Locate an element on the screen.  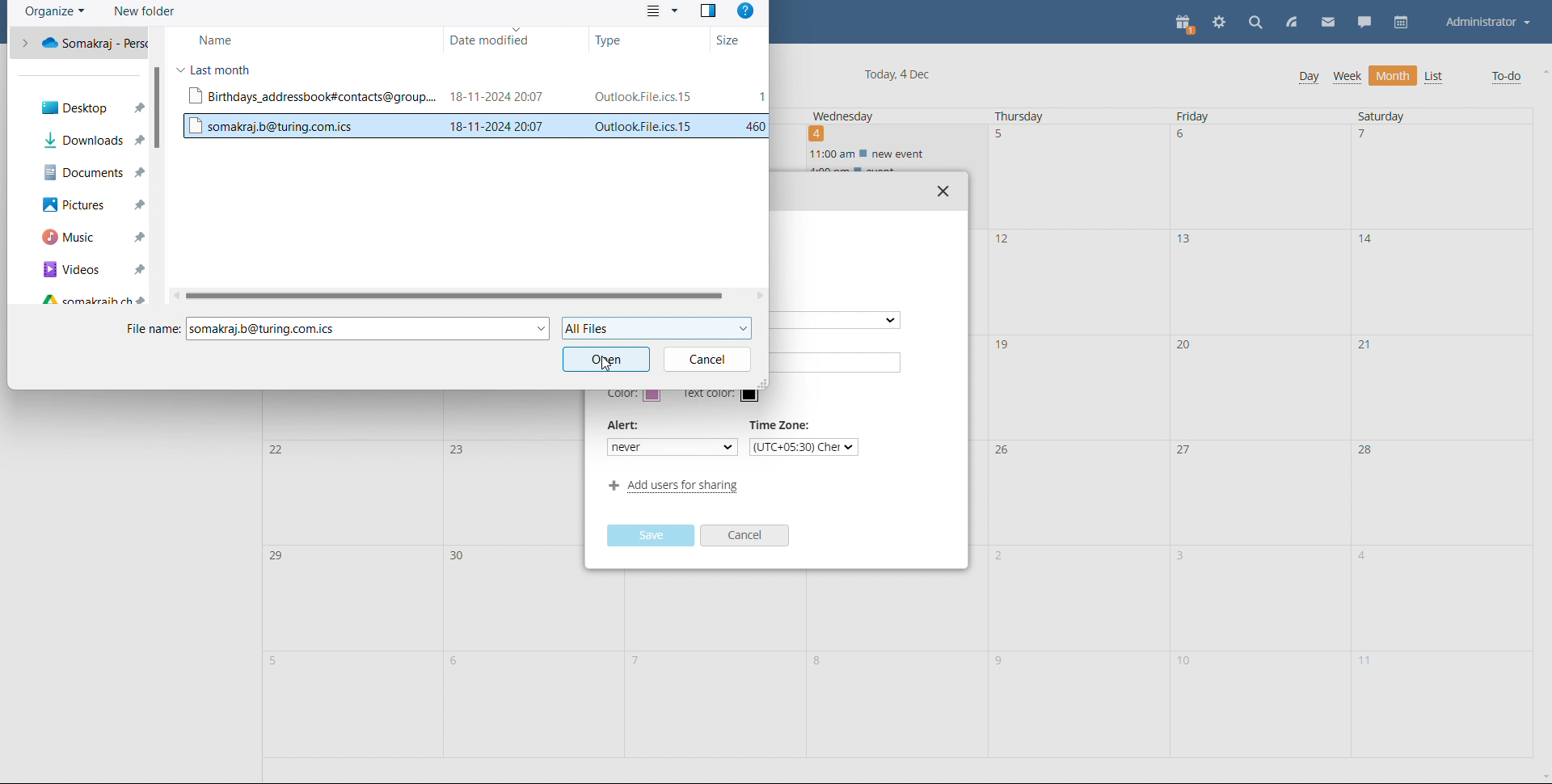
scrollbar is located at coordinates (158, 107).